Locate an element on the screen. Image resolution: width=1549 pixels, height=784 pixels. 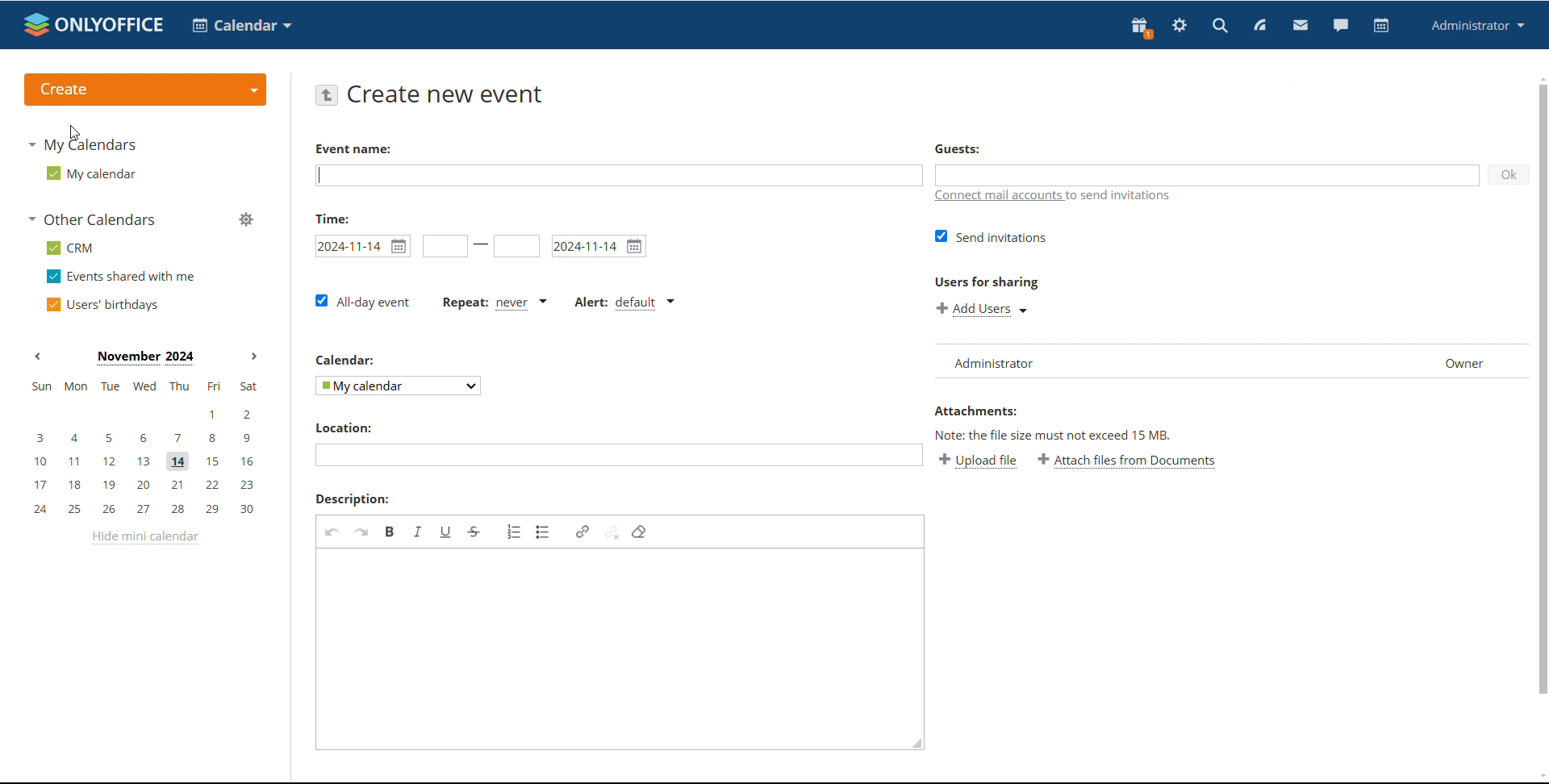
create is located at coordinates (145, 90).